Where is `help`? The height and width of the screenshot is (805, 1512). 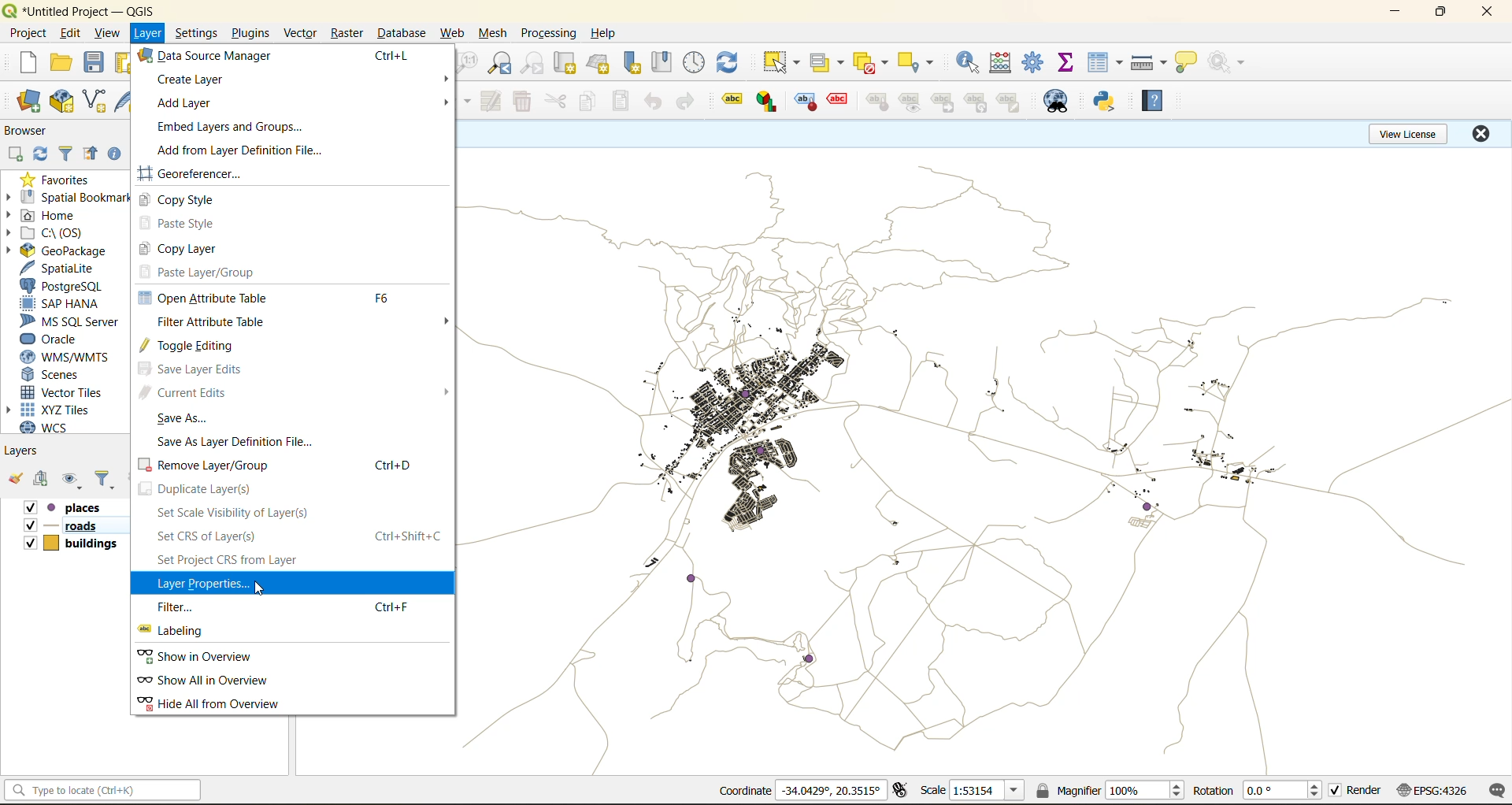
help is located at coordinates (1151, 102).